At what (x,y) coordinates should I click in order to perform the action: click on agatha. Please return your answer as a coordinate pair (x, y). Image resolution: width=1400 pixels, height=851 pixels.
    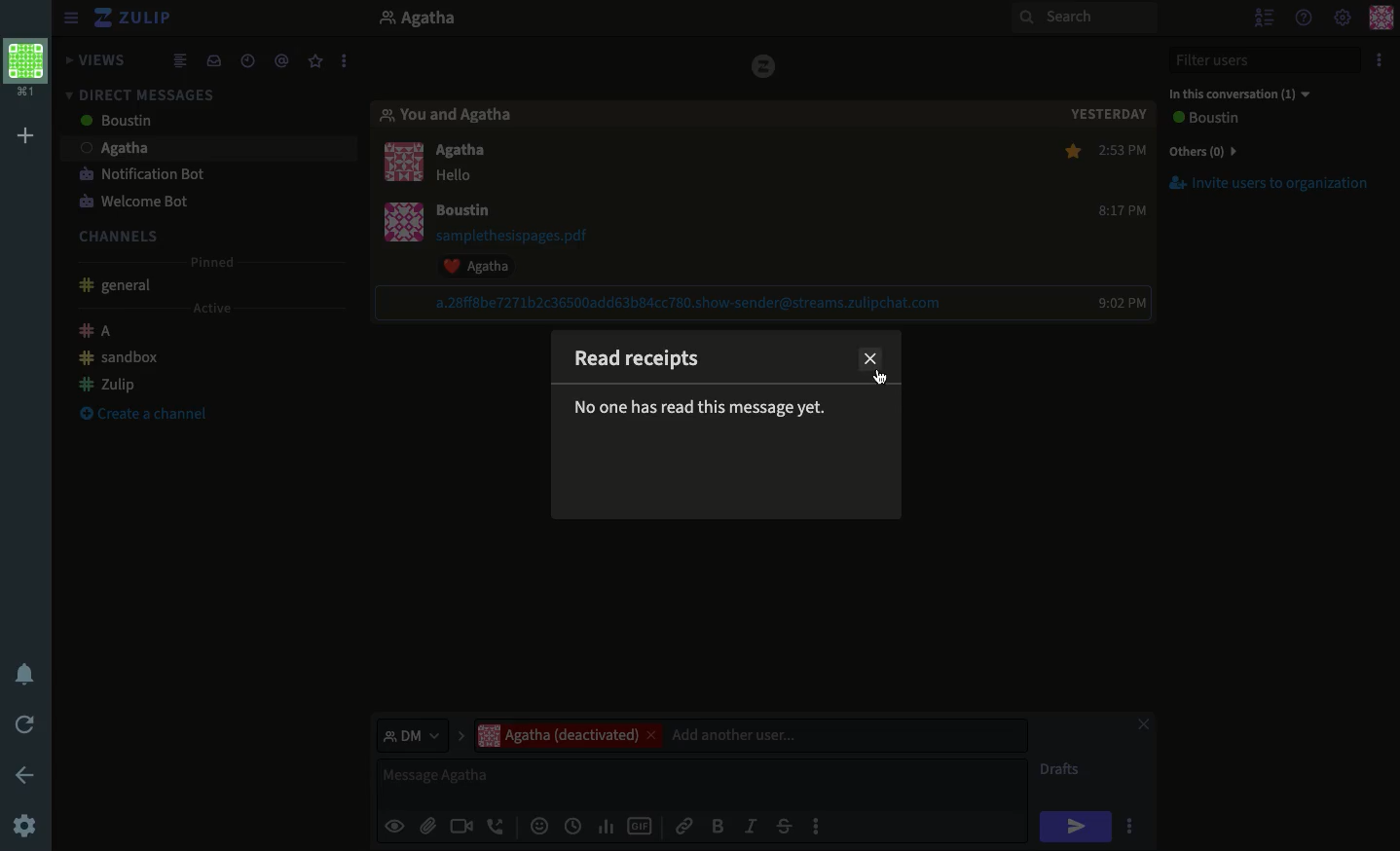
    Looking at the image, I should click on (202, 148).